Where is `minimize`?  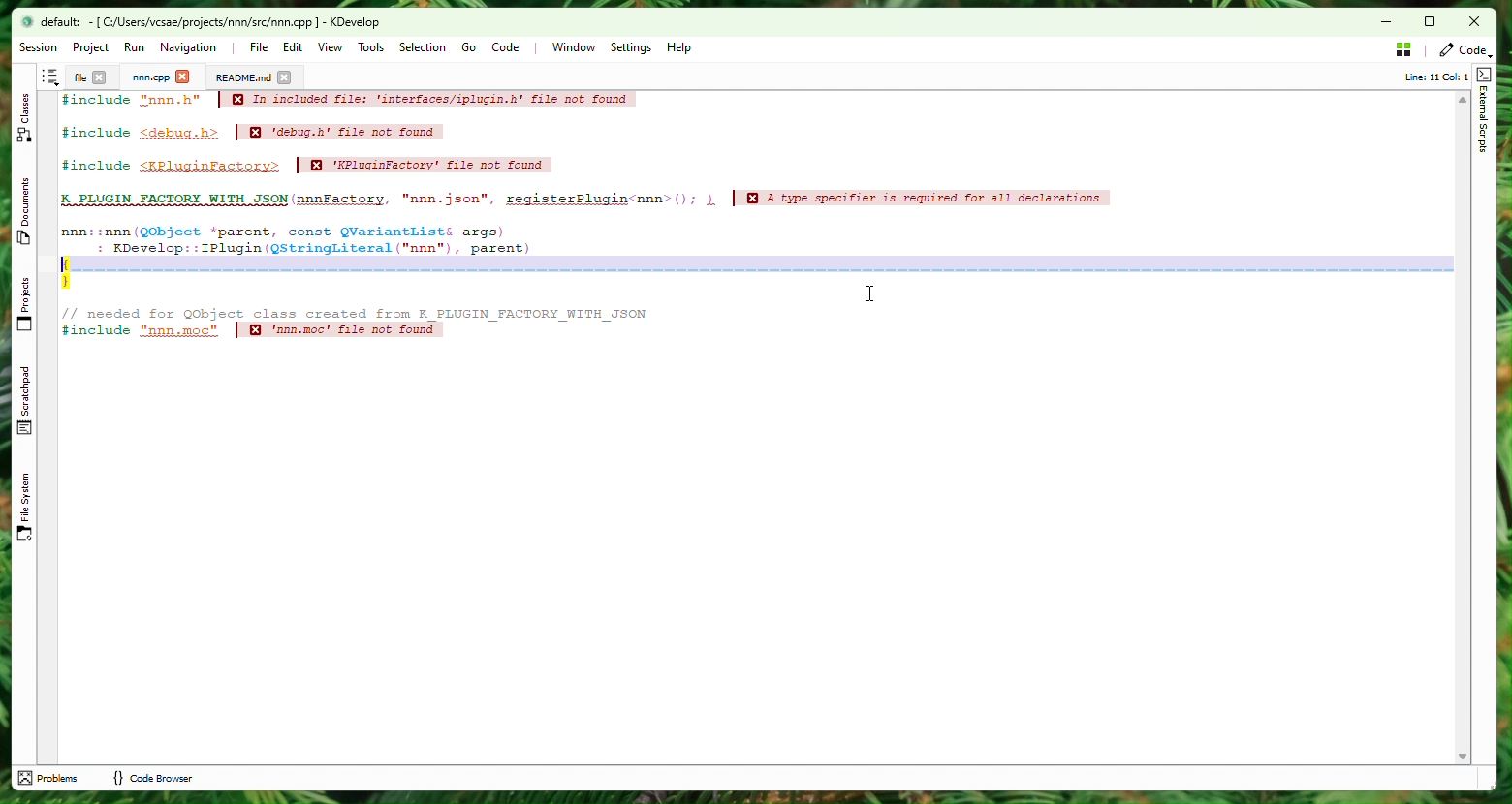 minimize is located at coordinates (1375, 22).